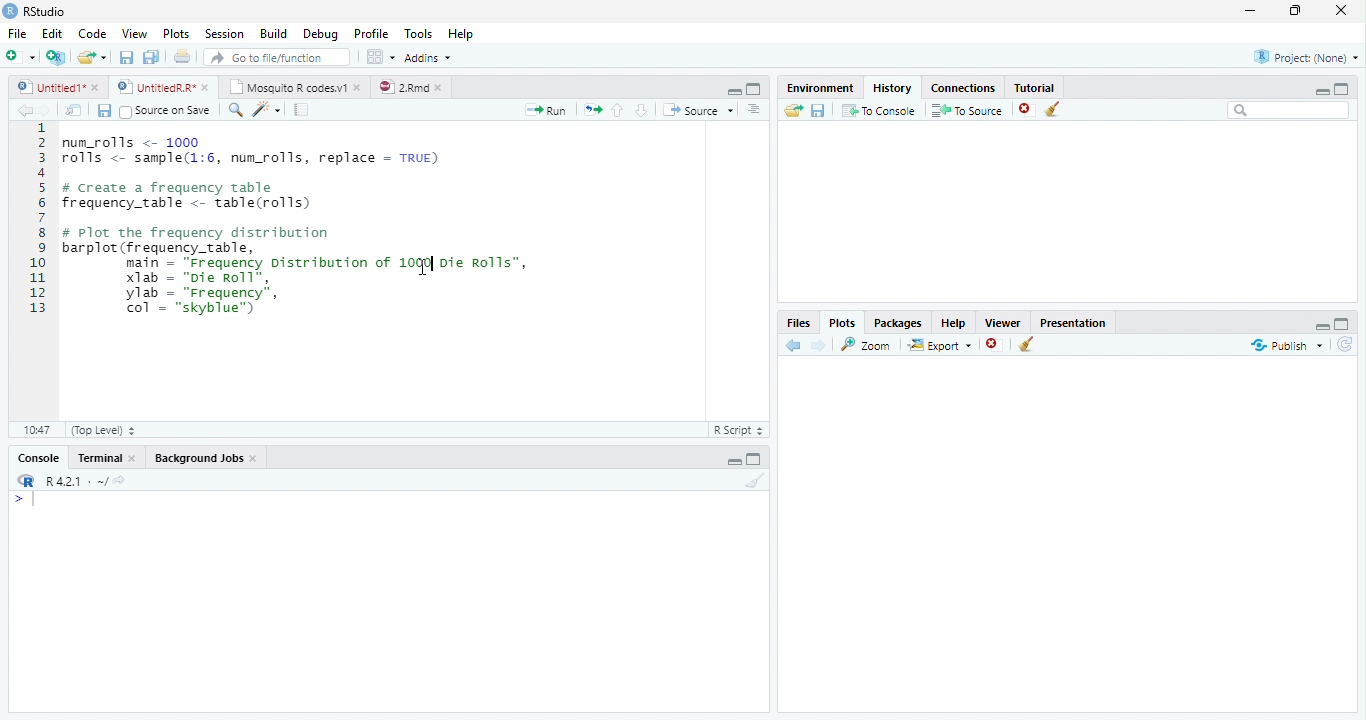 This screenshot has height=720, width=1366. I want to click on Next Source Location, so click(45, 109).